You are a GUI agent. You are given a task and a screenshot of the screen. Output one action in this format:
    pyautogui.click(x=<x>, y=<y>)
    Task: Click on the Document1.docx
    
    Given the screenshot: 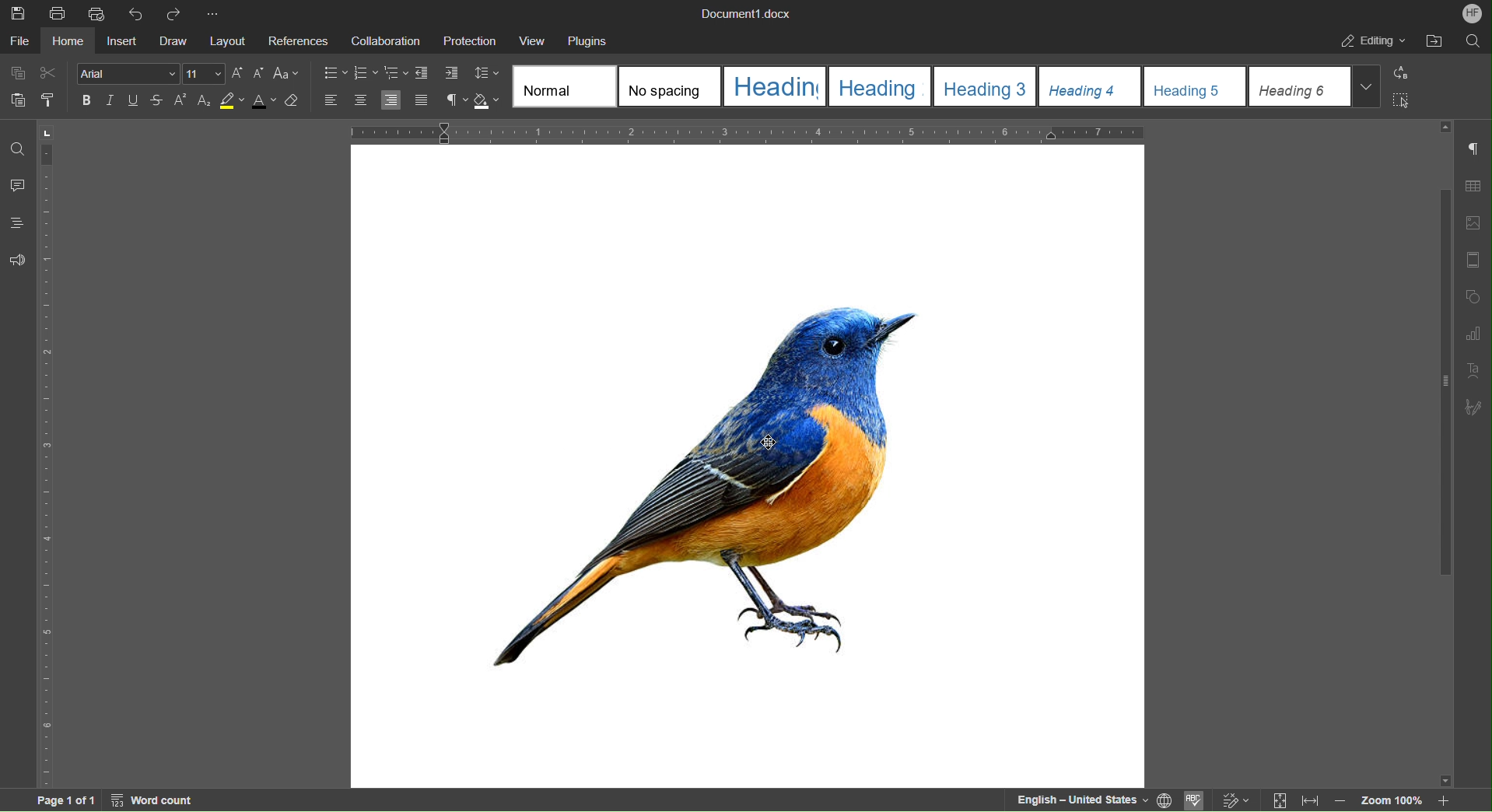 What is the action you would take?
    pyautogui.click(x=744, y=12)
    